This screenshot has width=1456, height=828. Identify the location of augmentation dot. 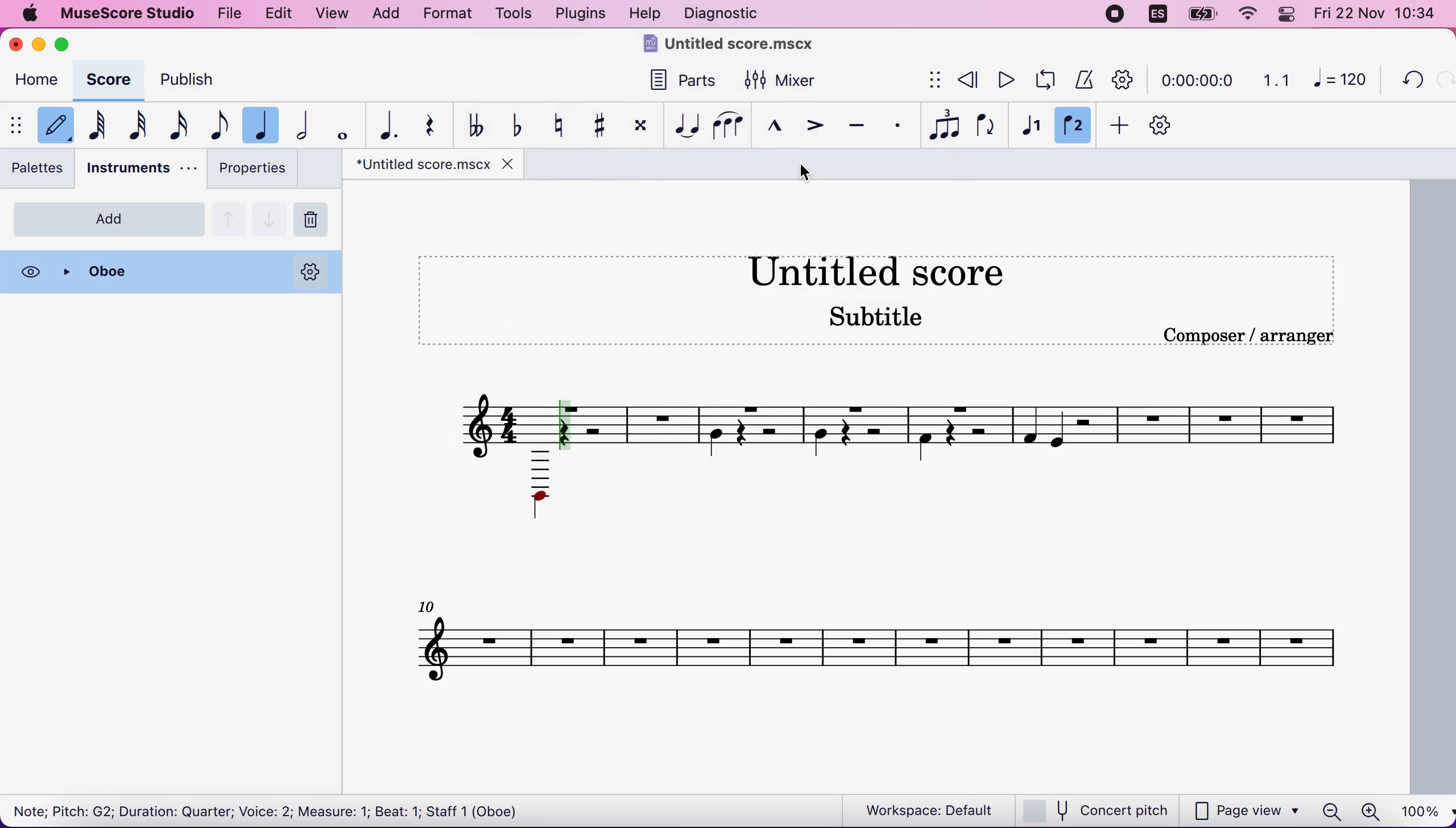
(391, 124).